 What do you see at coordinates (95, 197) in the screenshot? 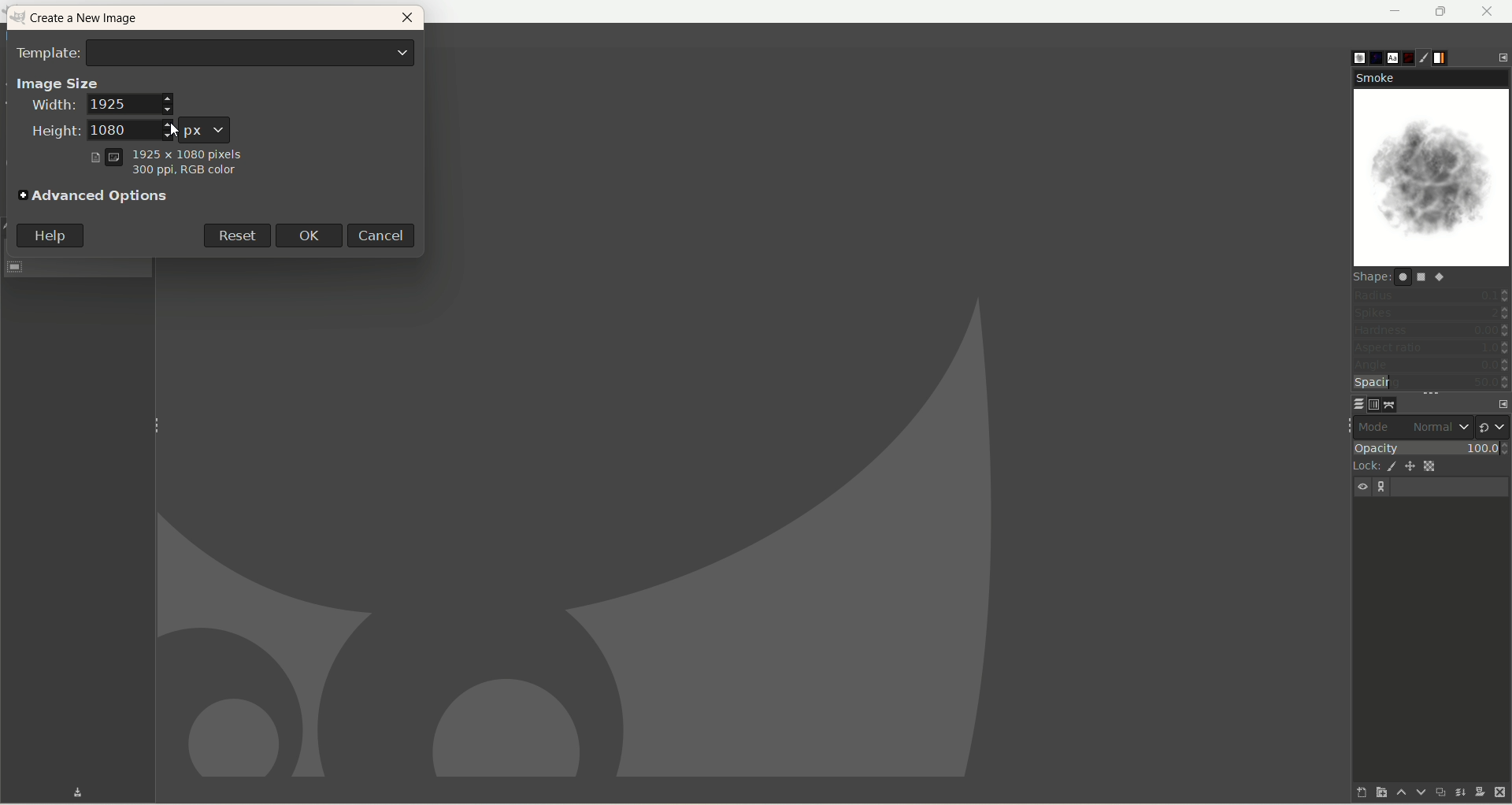
I see `advanced options` at bounding box center [95, 197].